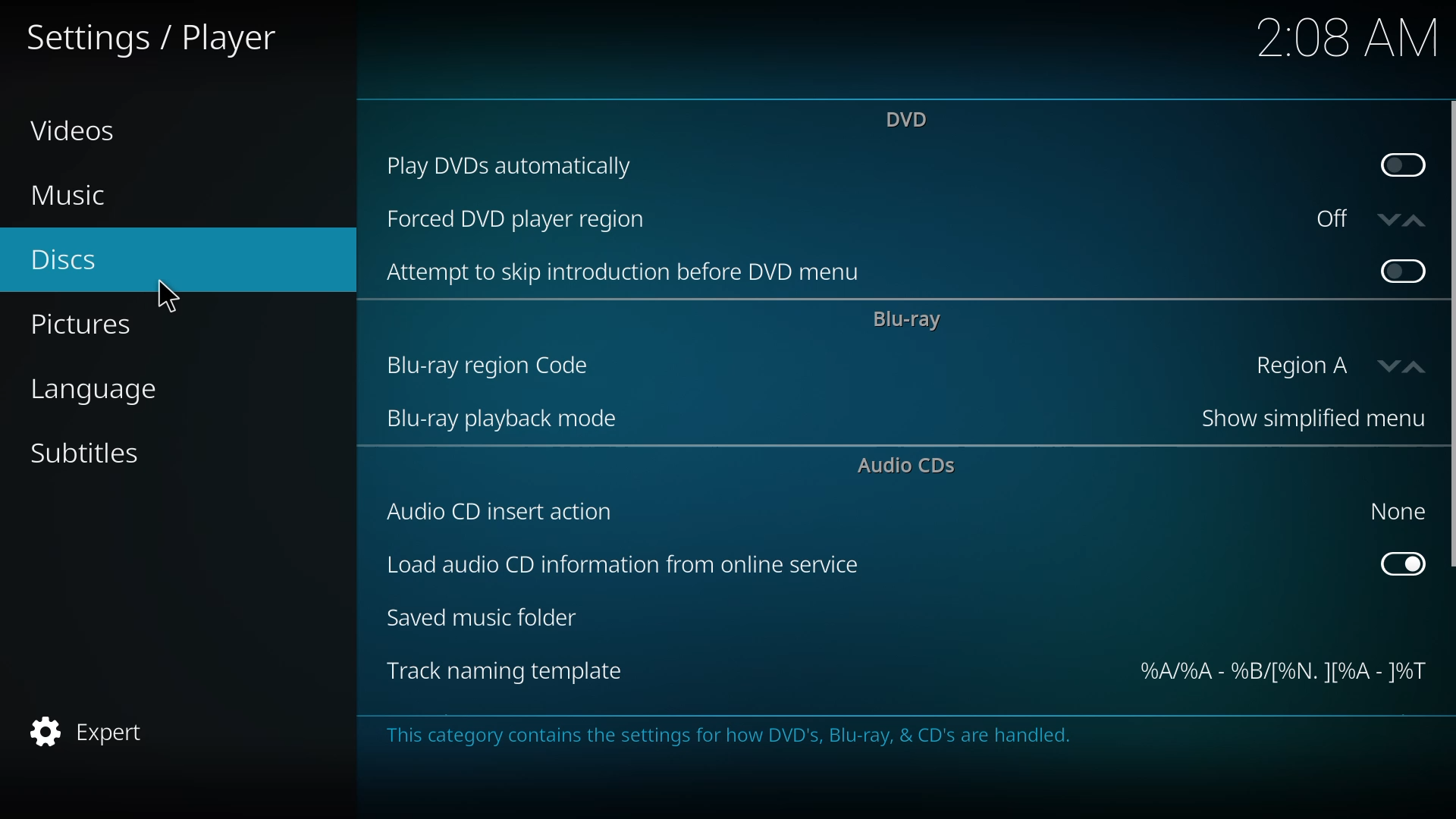 Image resolution: width=1456 pixels, height=819 pixels. Describe the element at coordinates (69, 196) in the screenshot. I see `music` at that location.